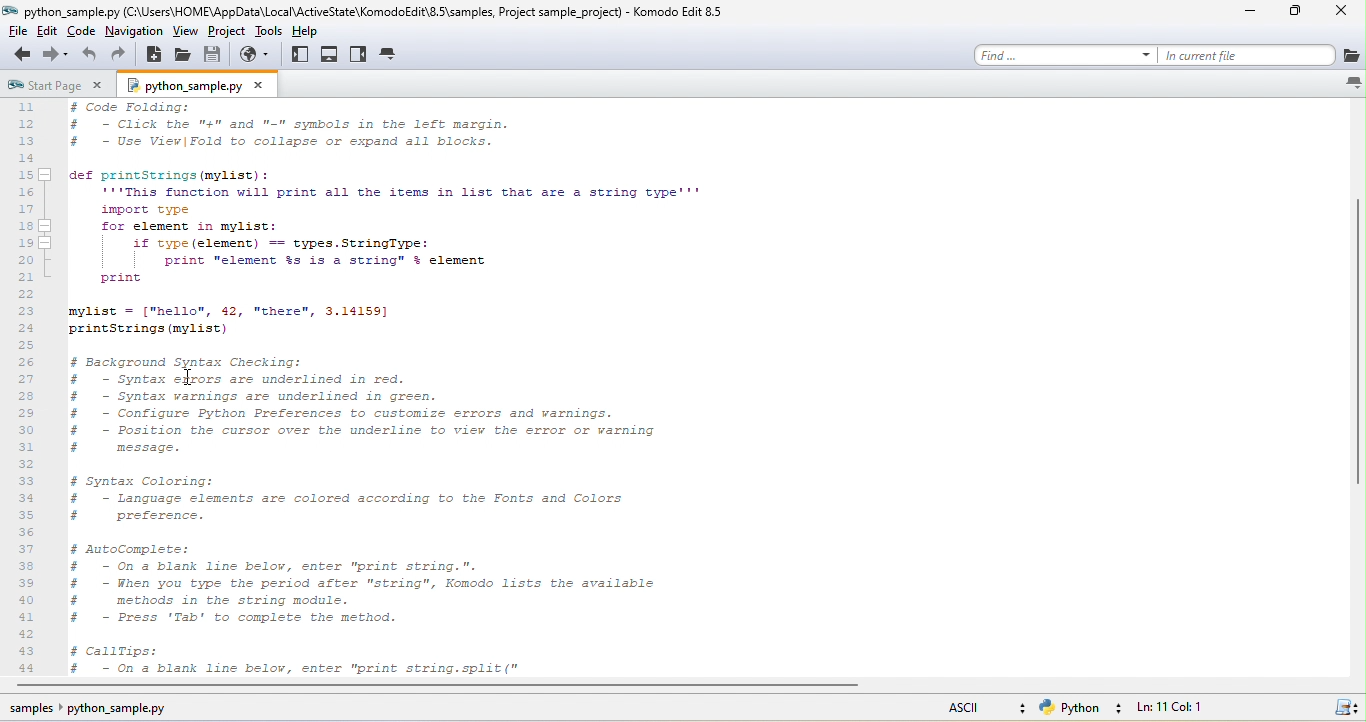 The width and height of the screenshot is (1366, 722). Describe the element at coordinates (330, 54) in the screenshot. I see `bottom pane` at that location.